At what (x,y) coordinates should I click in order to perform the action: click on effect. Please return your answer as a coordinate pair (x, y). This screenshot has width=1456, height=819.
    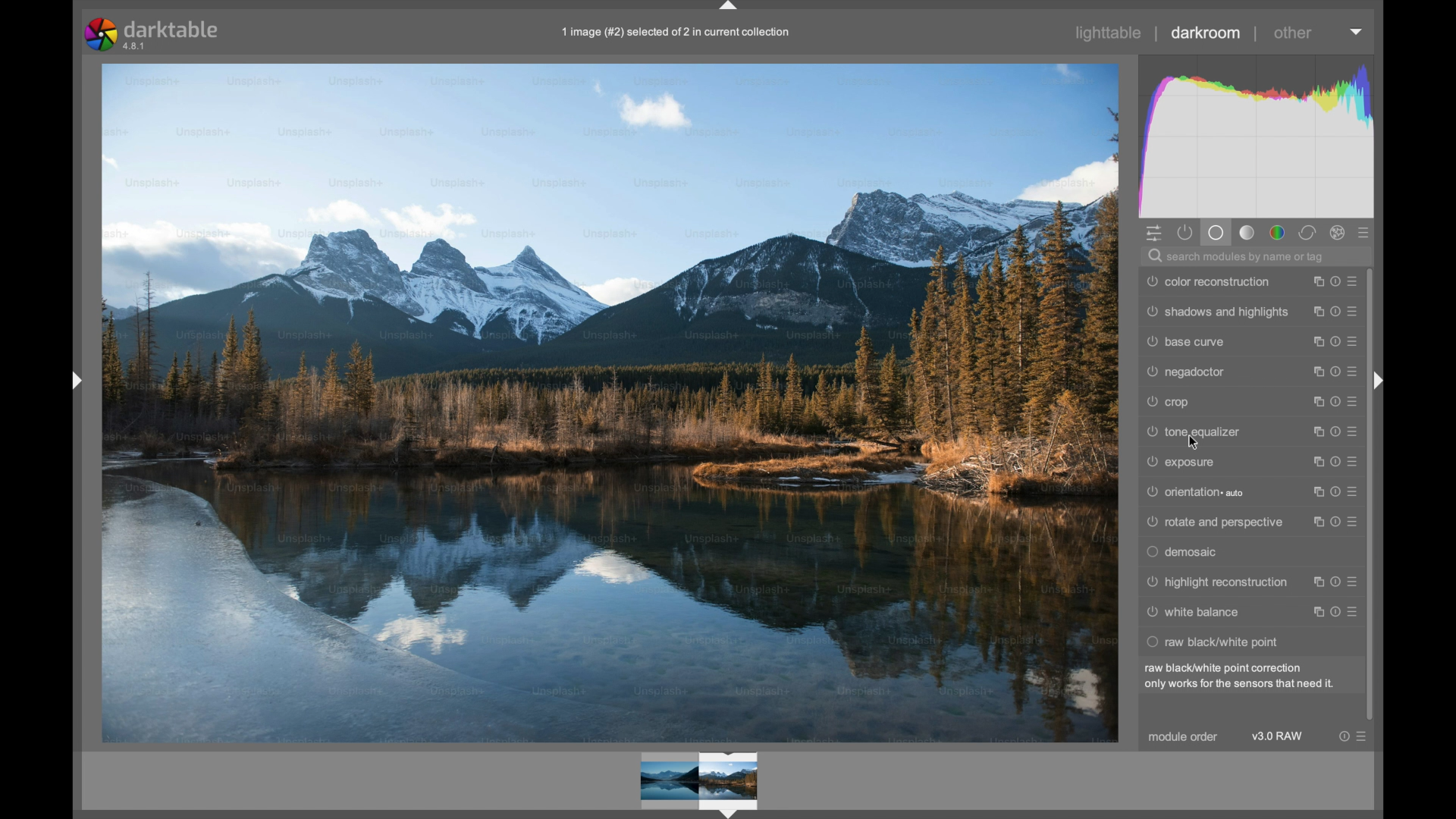
    Looking at the image, I should click on (1338, 233).